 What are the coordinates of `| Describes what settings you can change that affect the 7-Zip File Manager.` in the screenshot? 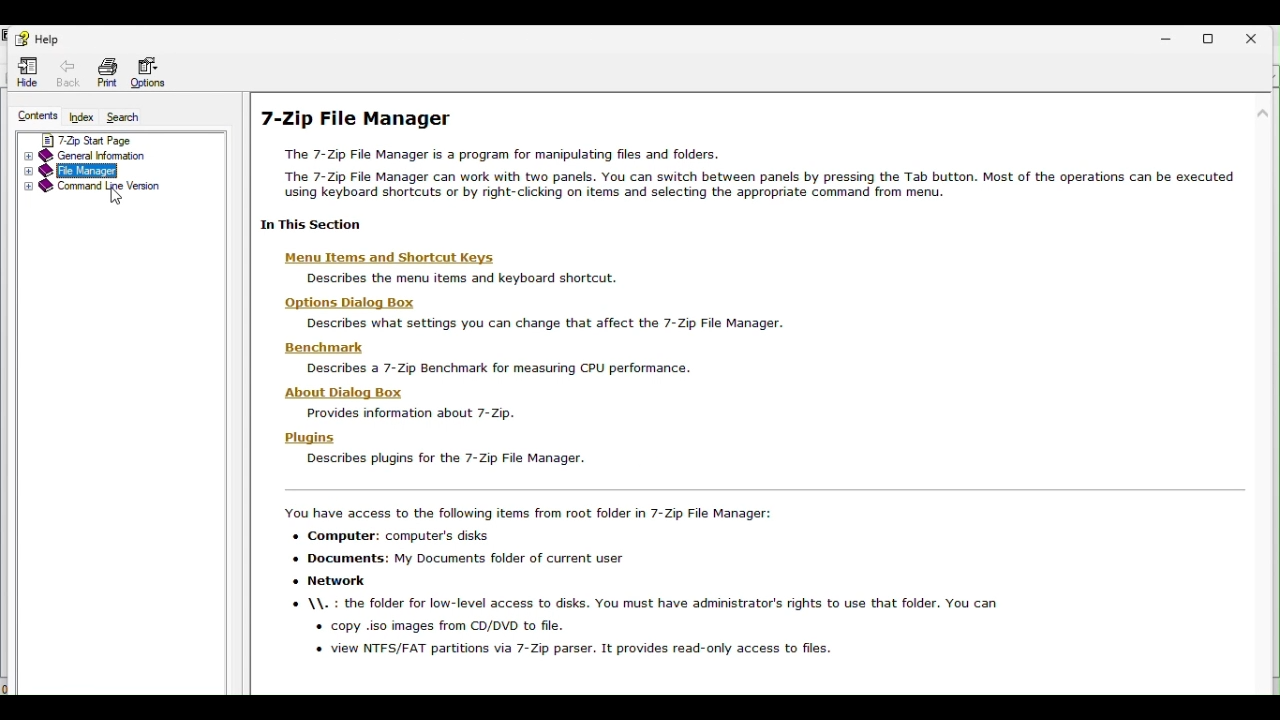 It's located at (548, 322).